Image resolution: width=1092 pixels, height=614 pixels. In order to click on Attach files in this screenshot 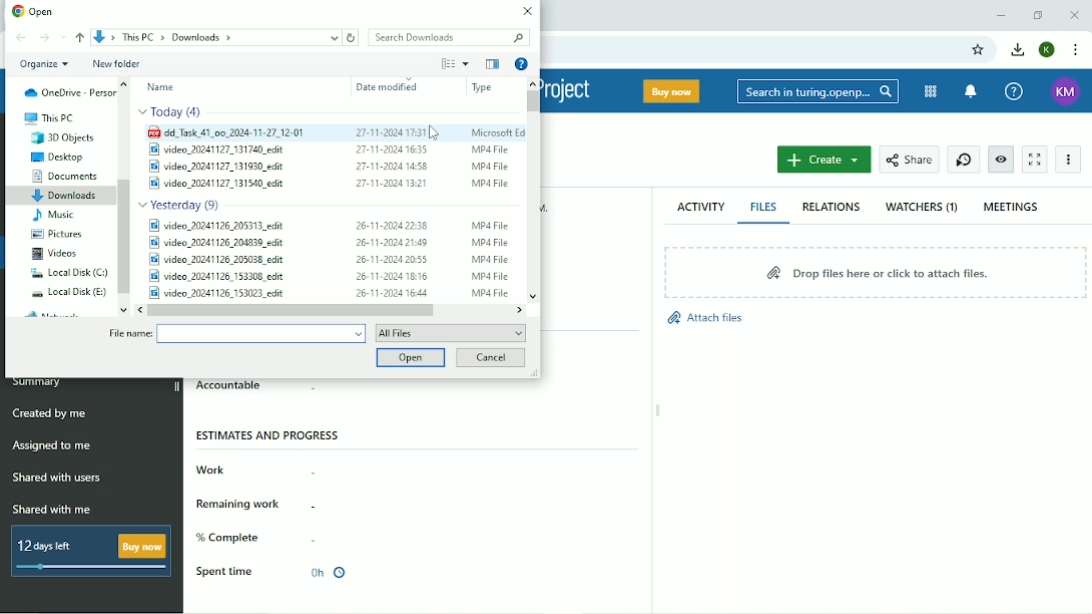, I will do `click(704, 323)`.